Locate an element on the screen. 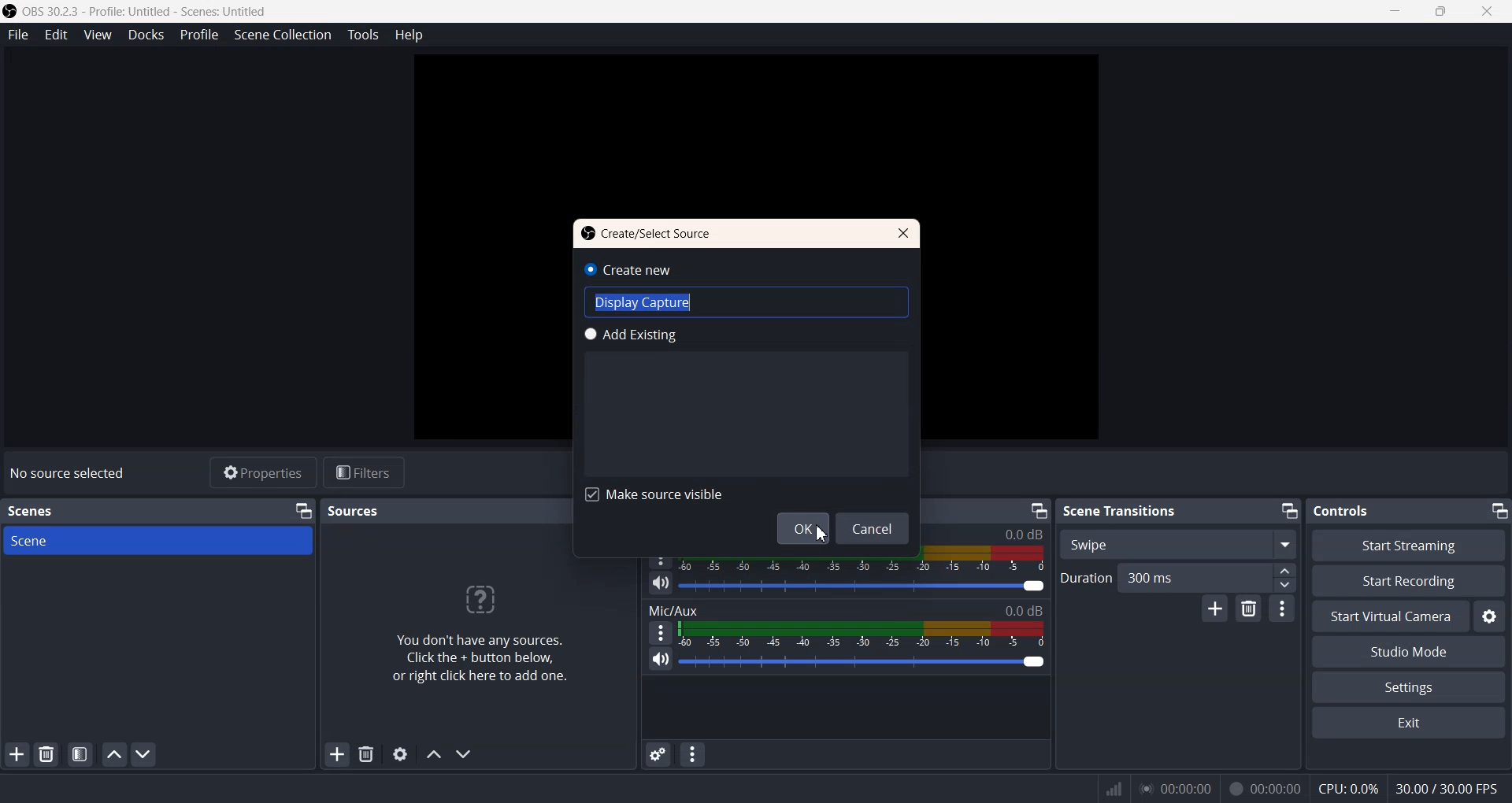  Mute/ Unmute is located at coordinates (660, 583).